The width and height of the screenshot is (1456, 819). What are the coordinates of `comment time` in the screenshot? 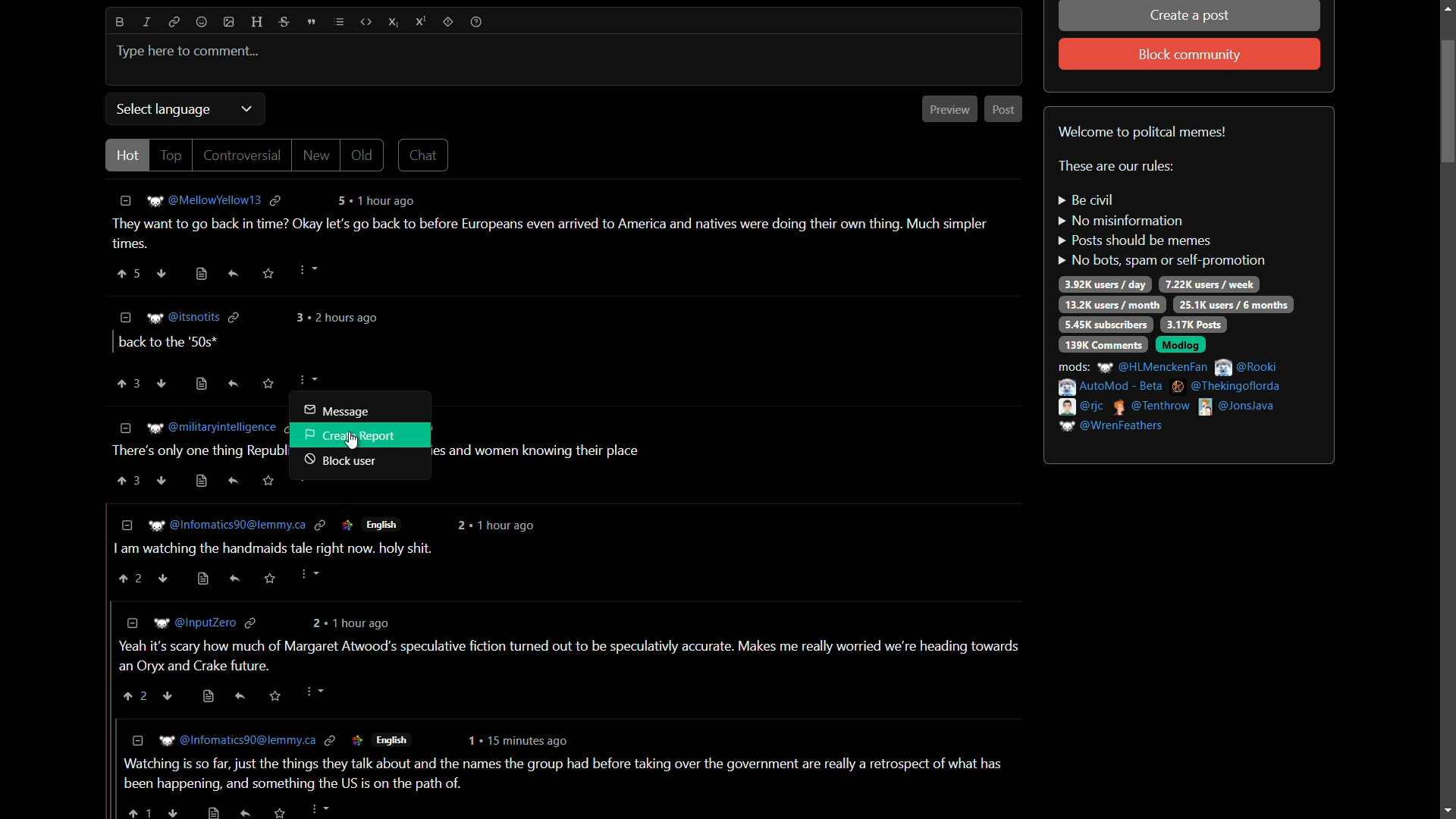 It's located at (340, 318).